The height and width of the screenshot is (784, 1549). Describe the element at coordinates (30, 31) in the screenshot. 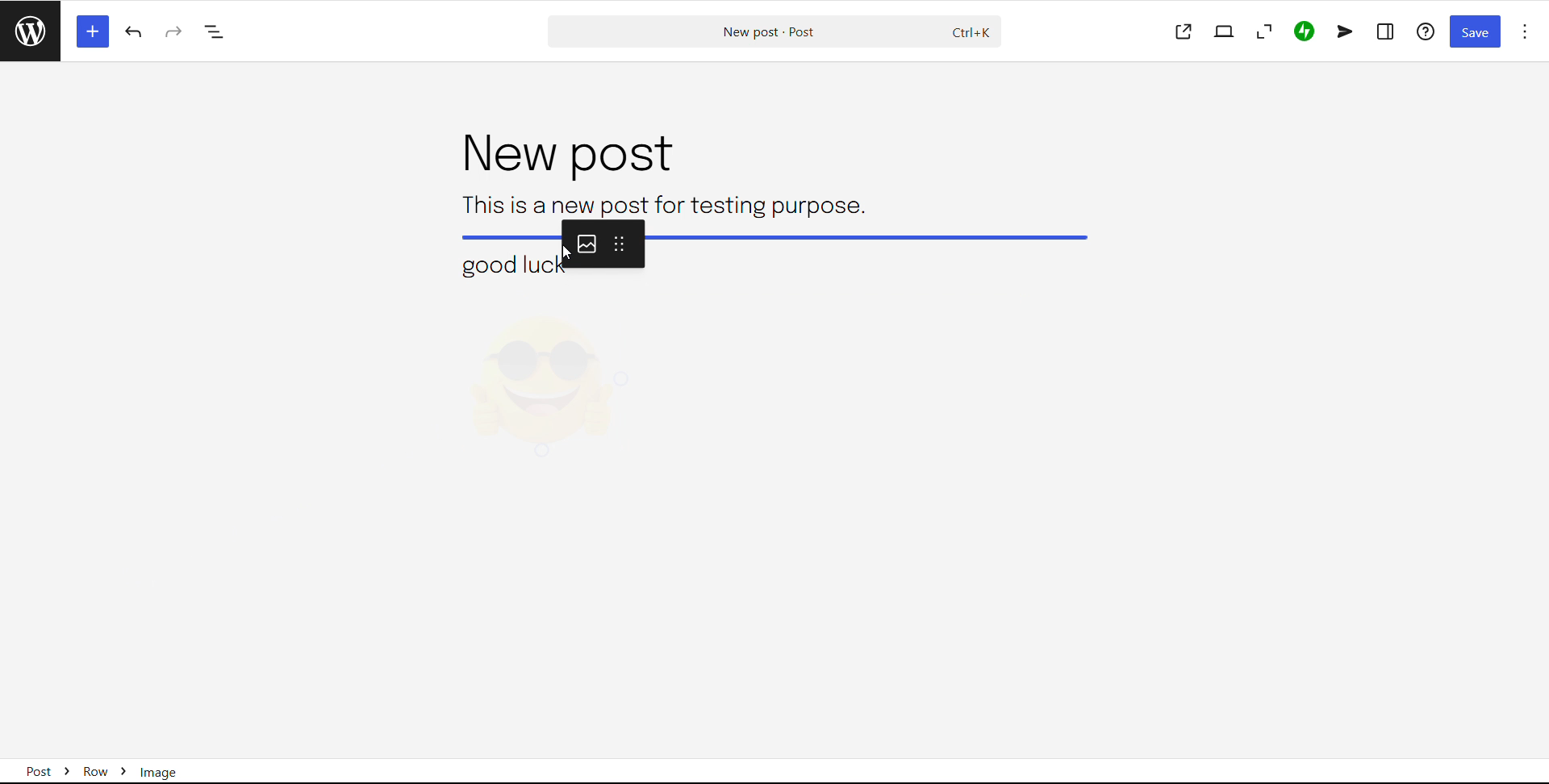

I see `read posts` at that location.